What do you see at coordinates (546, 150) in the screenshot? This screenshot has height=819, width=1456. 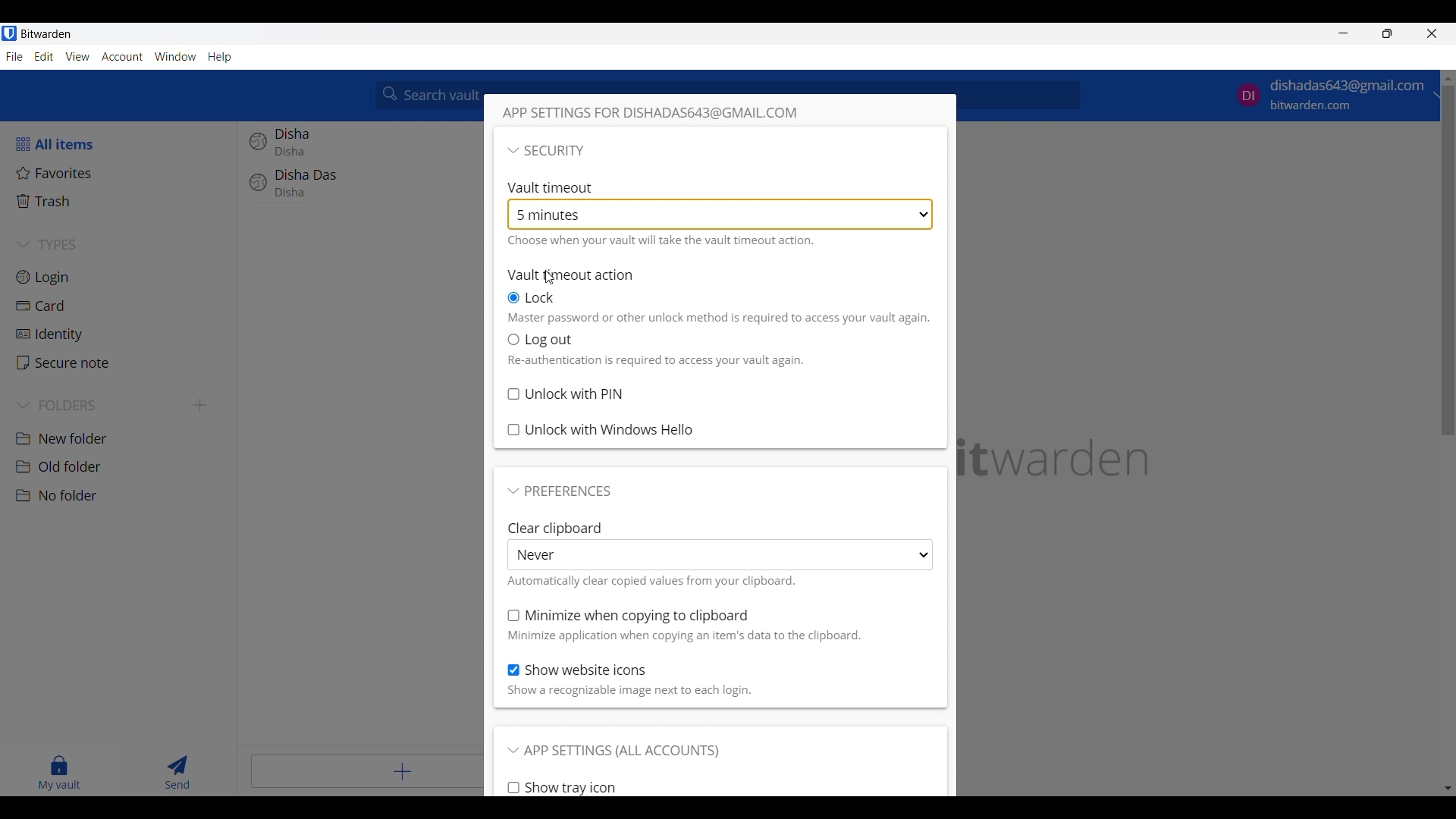 I see `Collapse section` at bounding box center [546, 150].